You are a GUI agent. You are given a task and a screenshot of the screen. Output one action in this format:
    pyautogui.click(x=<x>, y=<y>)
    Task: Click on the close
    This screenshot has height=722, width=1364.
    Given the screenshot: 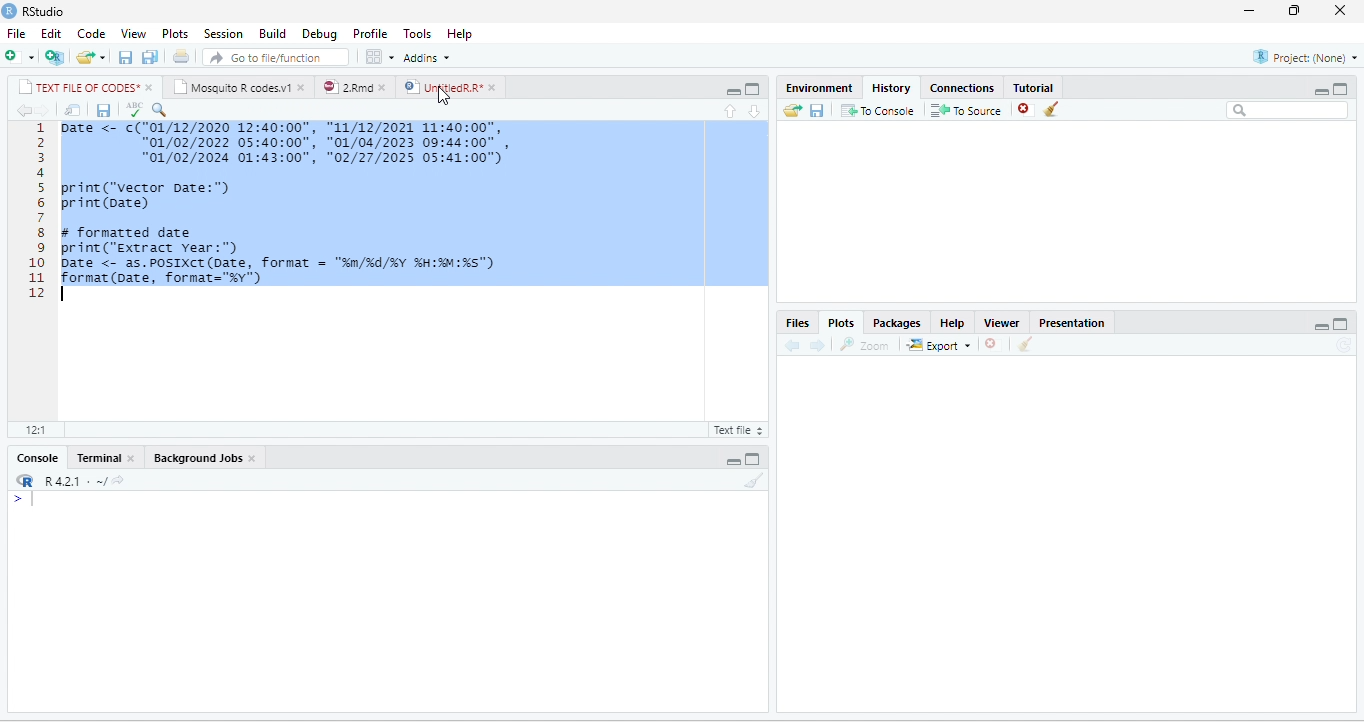 What is the action you would take?
    pyautogui.click(x=151, y=87)
    